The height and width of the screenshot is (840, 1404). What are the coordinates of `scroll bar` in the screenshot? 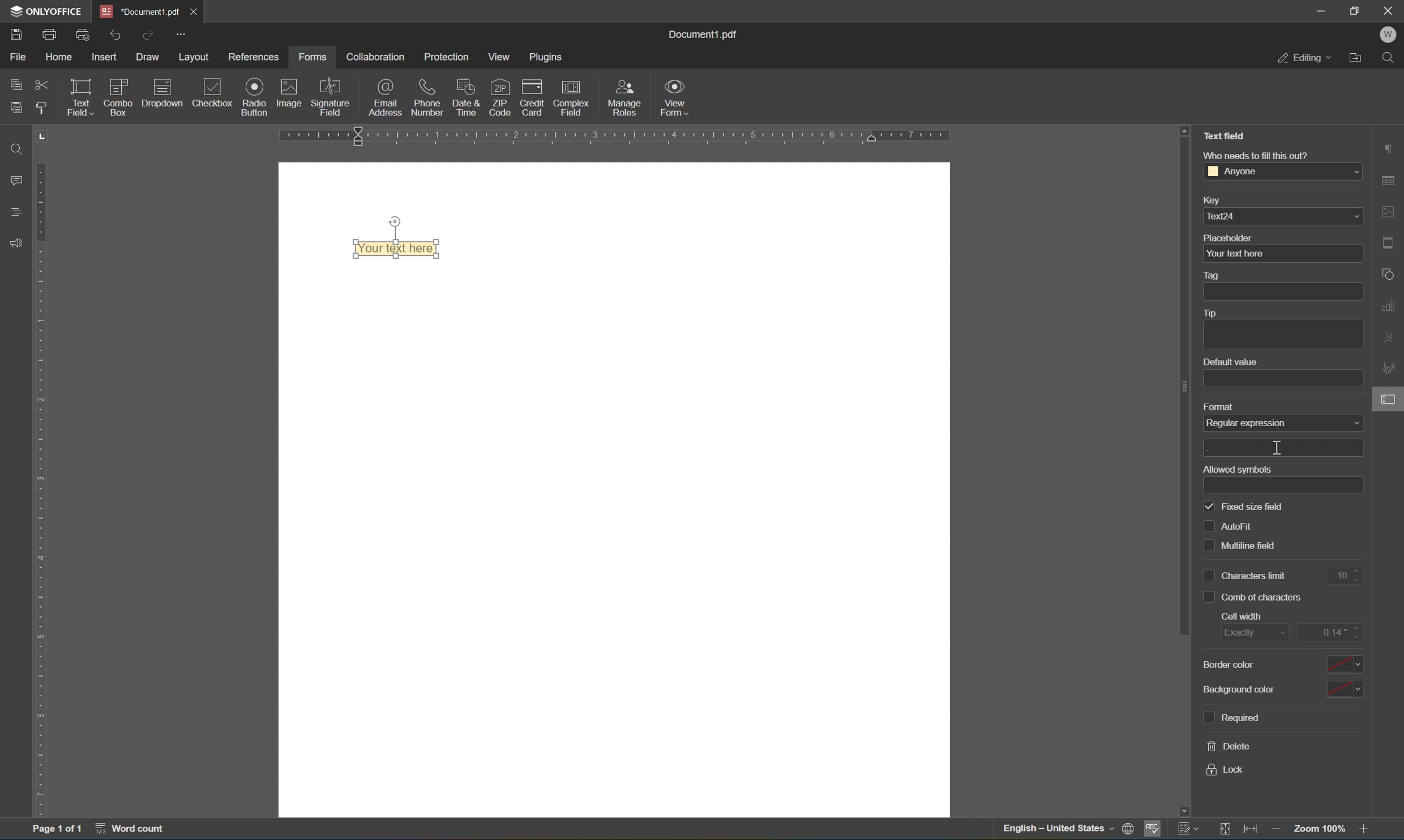 It's located at (1184, 387).